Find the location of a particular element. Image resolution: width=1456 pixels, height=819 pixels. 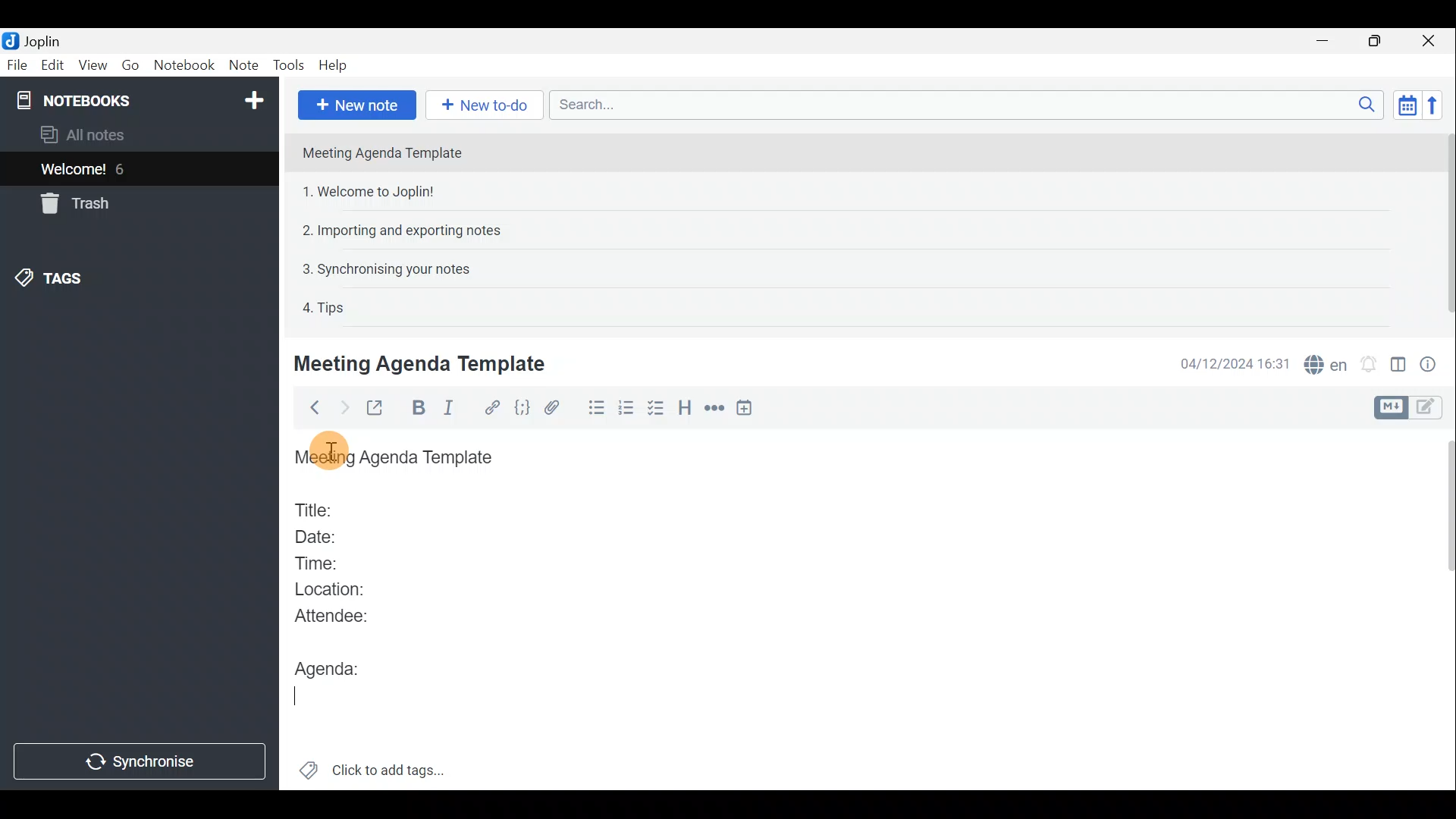

3. Synchronising your notes is located at coordinates (386, 268).